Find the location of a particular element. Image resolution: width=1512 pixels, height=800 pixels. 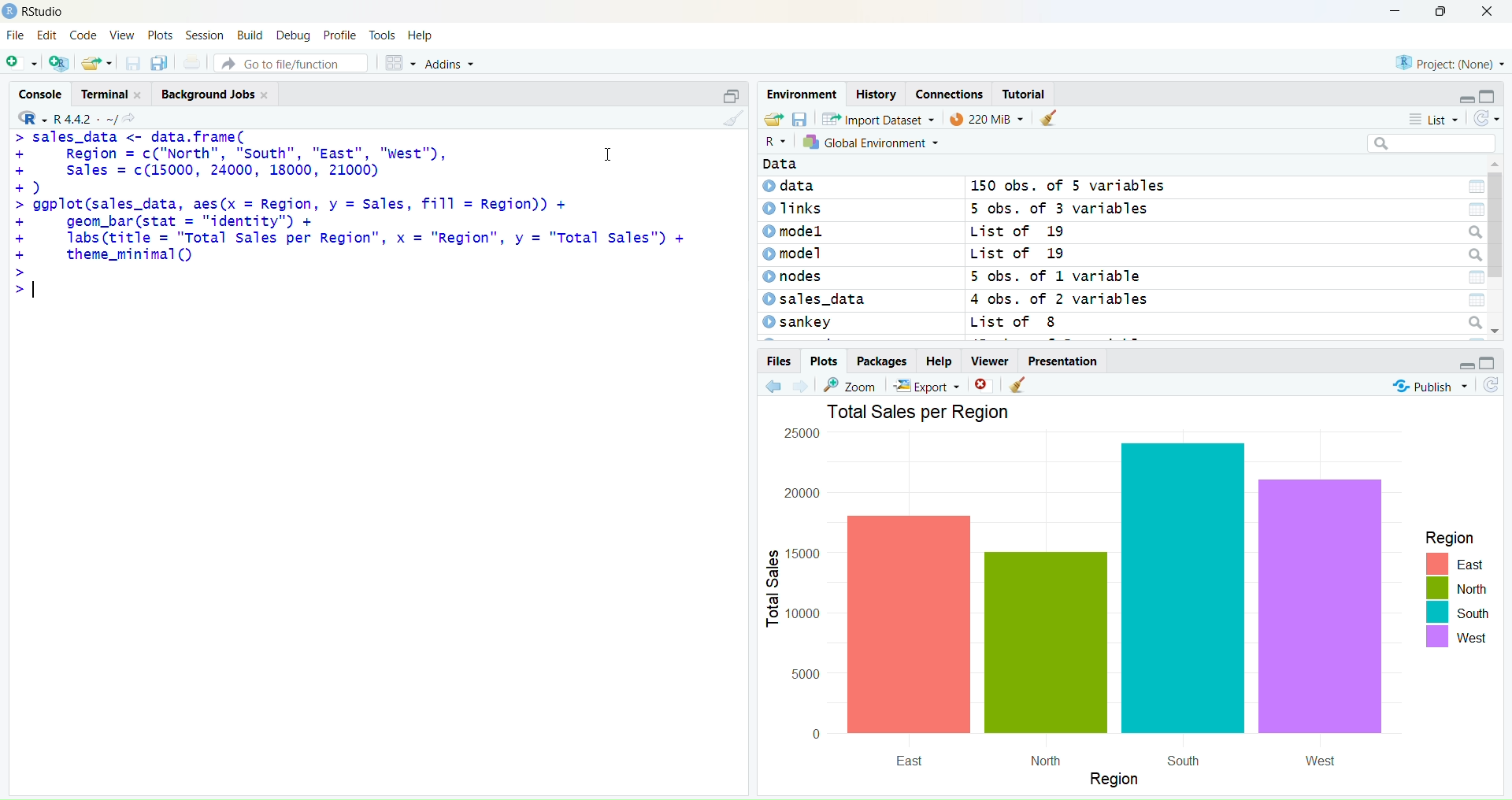

Edit is located at coordinates (46, 37).